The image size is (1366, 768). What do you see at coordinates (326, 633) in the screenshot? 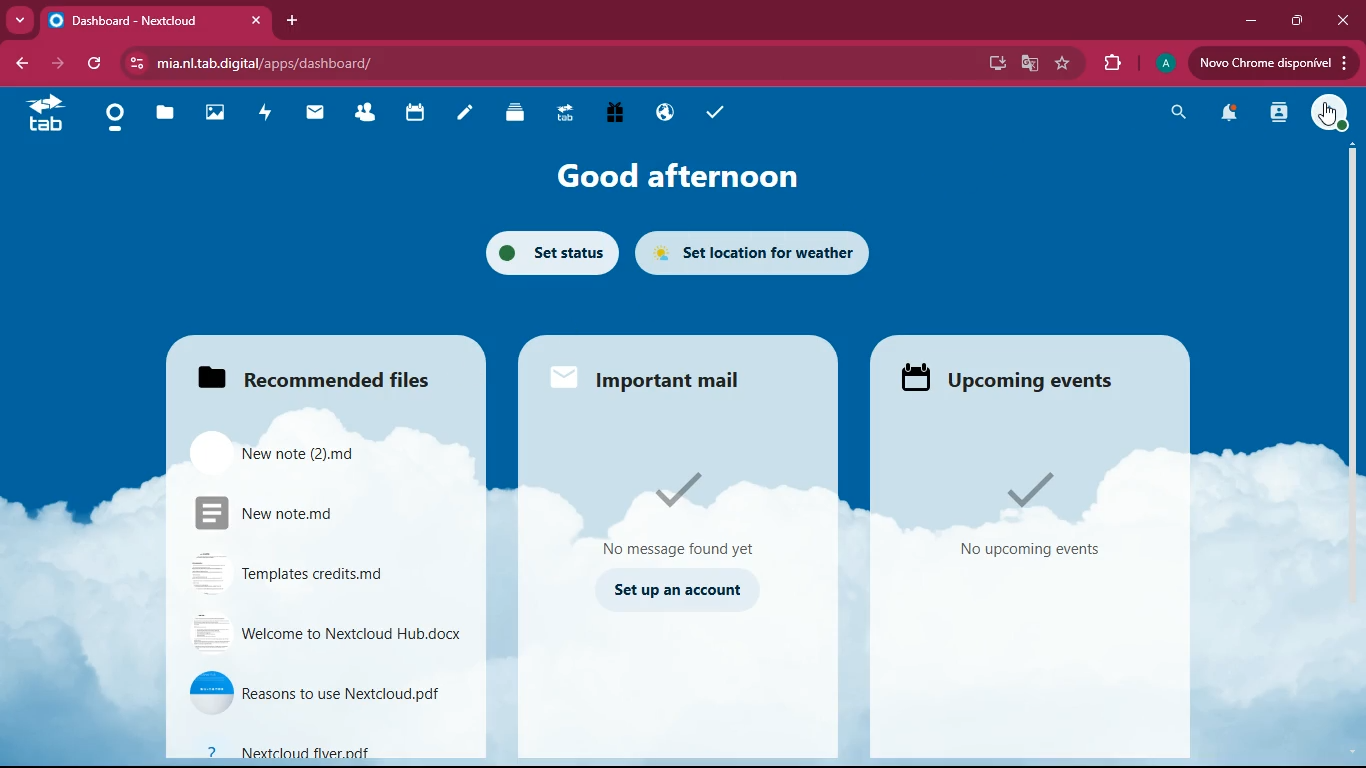
I see `file` at bounding box center [326, 633].